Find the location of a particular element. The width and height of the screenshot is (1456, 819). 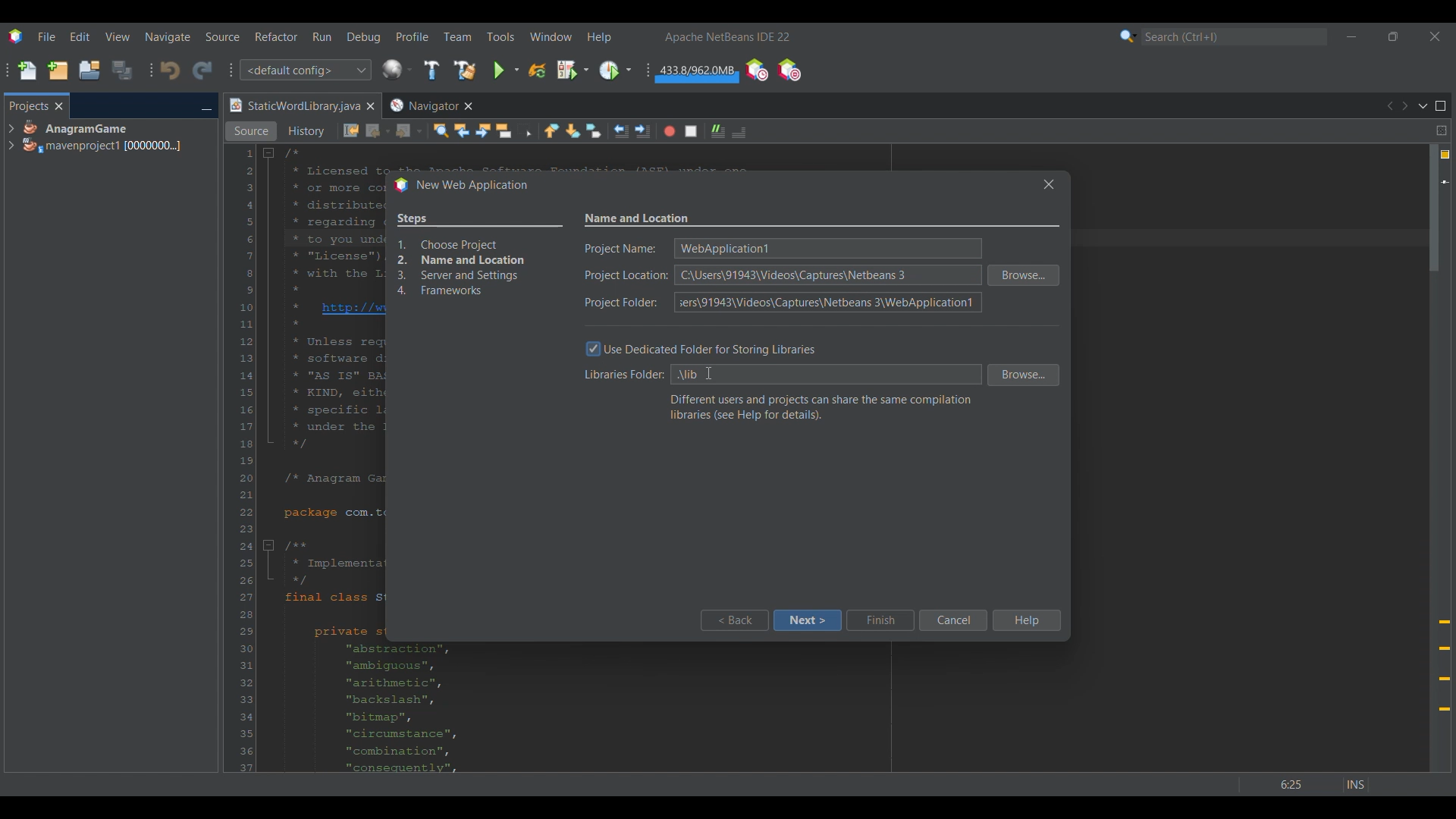

Redo is located at coordinates (202, 70).